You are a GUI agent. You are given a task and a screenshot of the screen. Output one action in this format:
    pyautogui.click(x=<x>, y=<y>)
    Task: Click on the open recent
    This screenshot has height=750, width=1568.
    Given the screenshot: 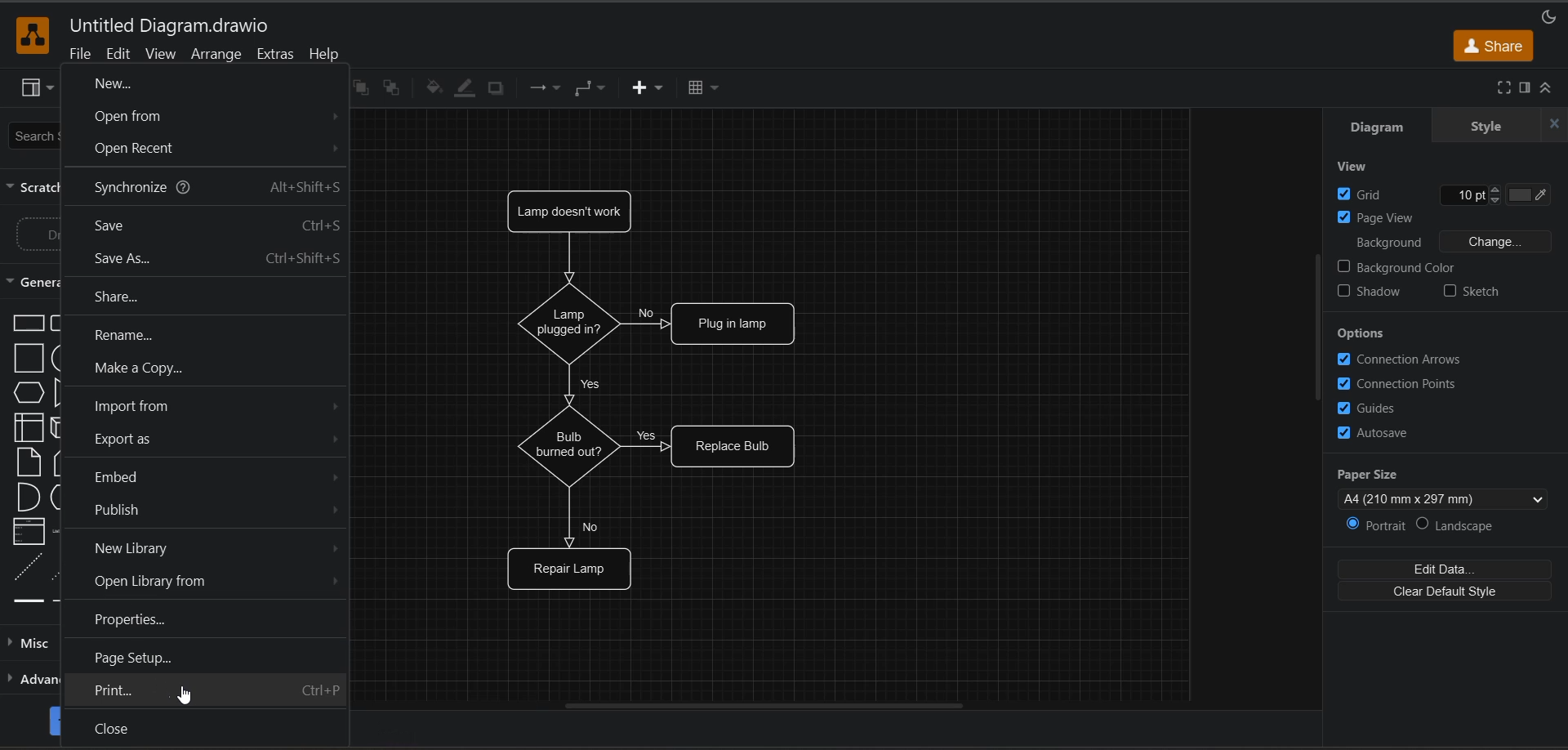 What is the action you would take?
    pyautogui.click(x=214, y=148)
    